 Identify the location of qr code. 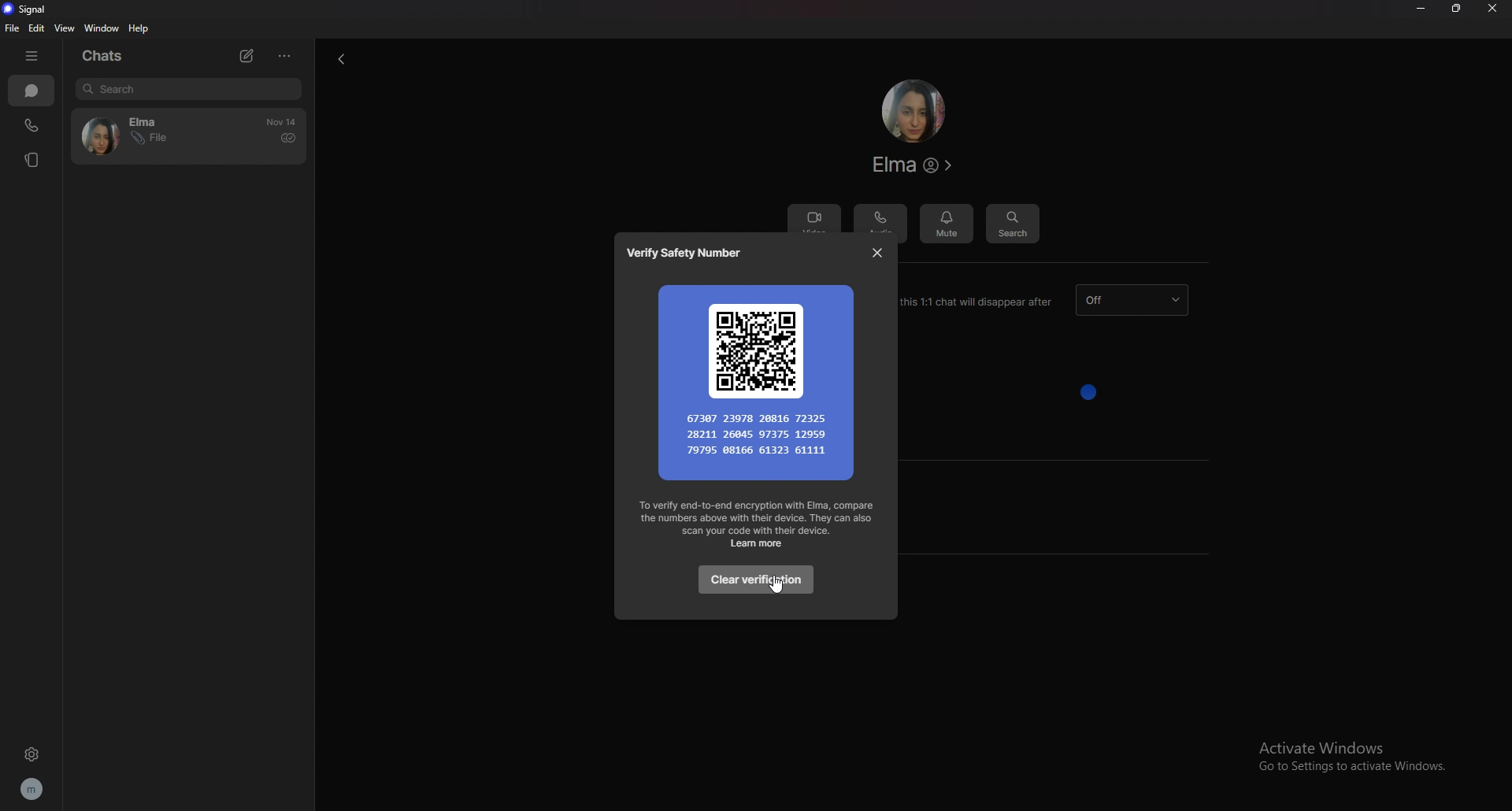
(757, 380).